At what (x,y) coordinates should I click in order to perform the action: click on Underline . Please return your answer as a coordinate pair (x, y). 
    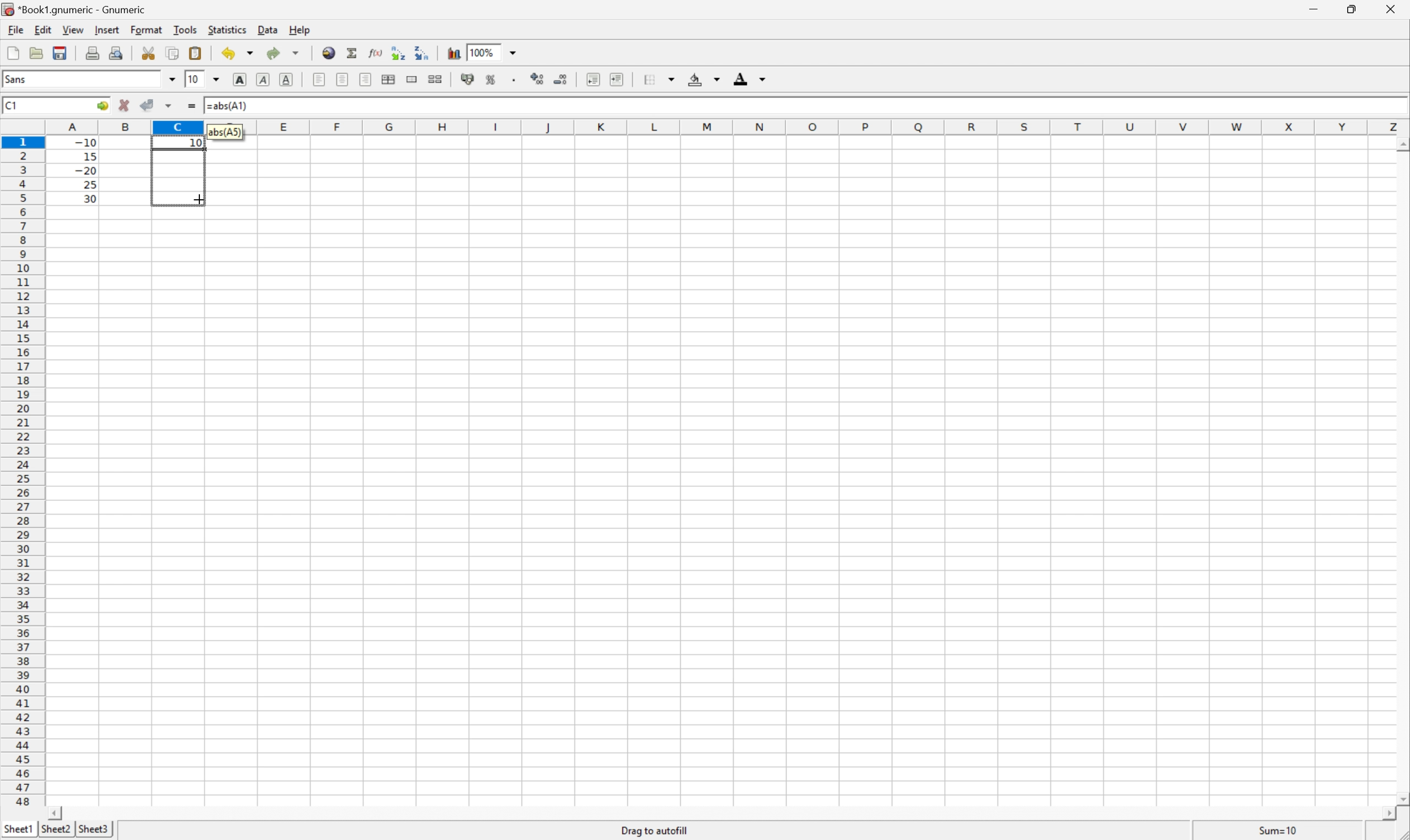
    Looking at the image, I should click on (262, 80).